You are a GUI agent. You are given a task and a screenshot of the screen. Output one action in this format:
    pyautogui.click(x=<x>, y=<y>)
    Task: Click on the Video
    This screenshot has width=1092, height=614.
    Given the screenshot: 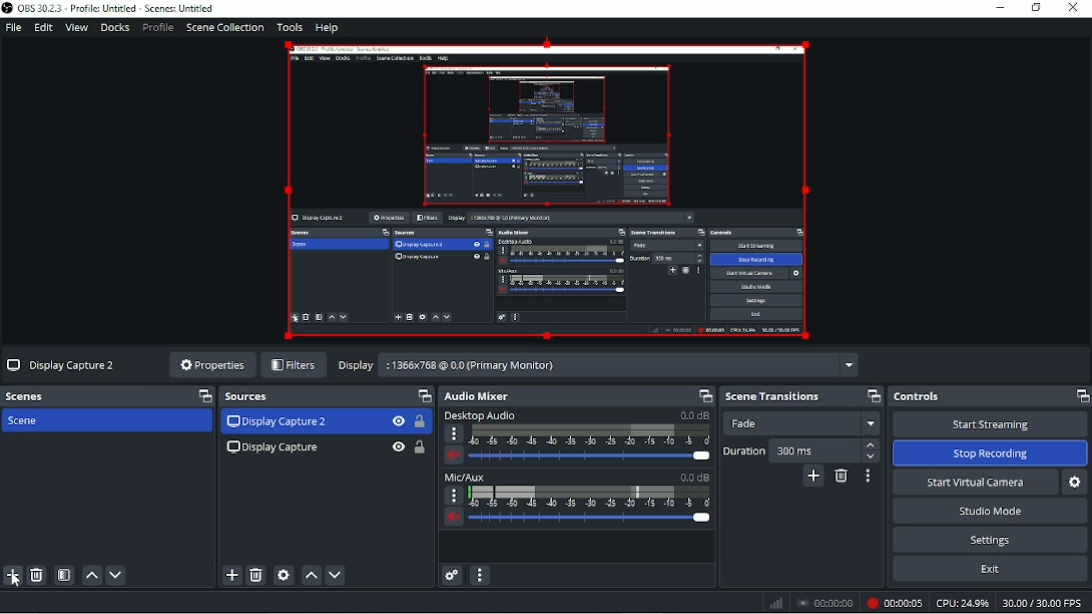 What is the action you would take?
    pyautogui.click(x=547, y=191)
    